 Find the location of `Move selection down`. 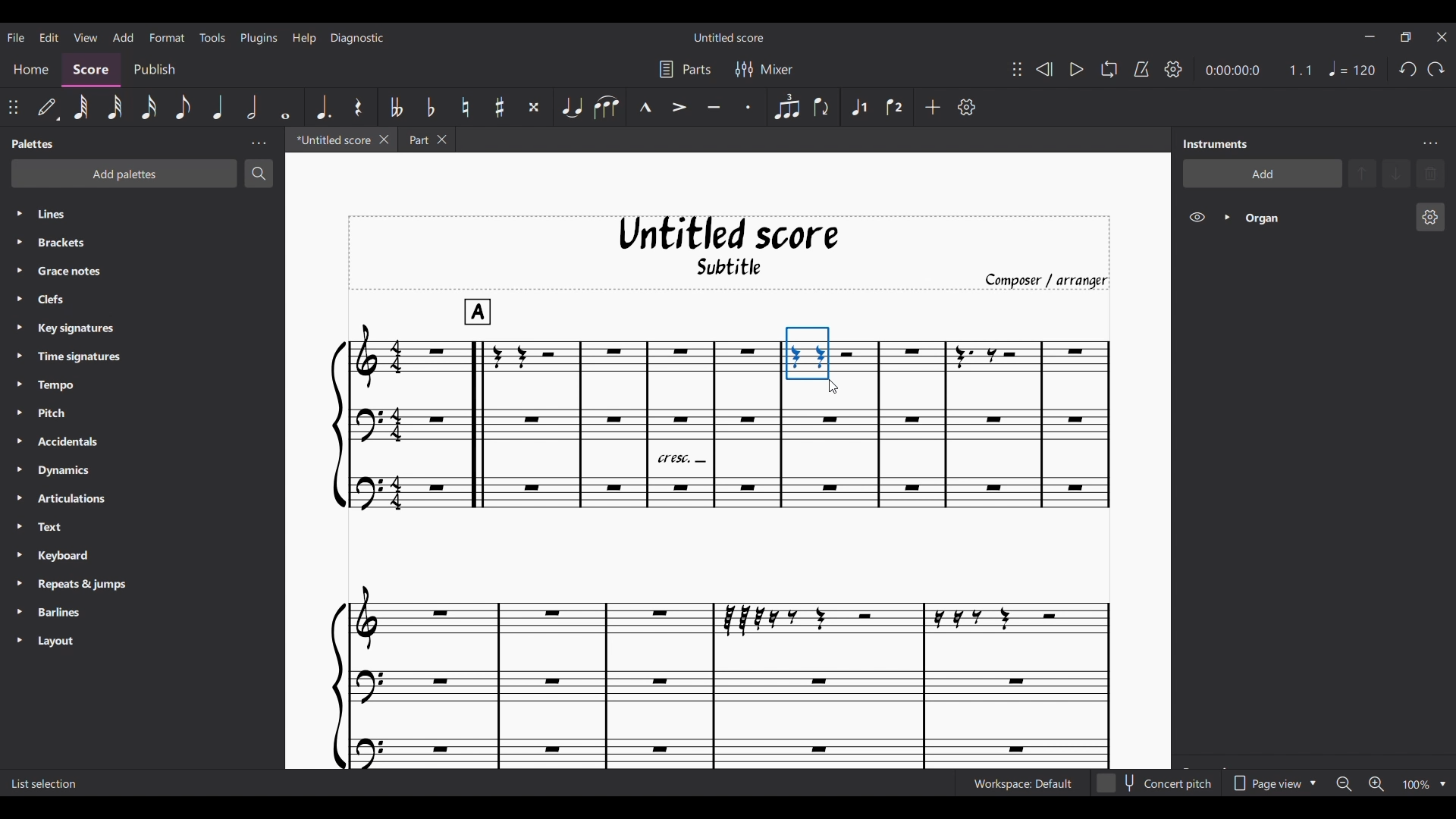

Move selection down is located at coordinates (1396, 174).